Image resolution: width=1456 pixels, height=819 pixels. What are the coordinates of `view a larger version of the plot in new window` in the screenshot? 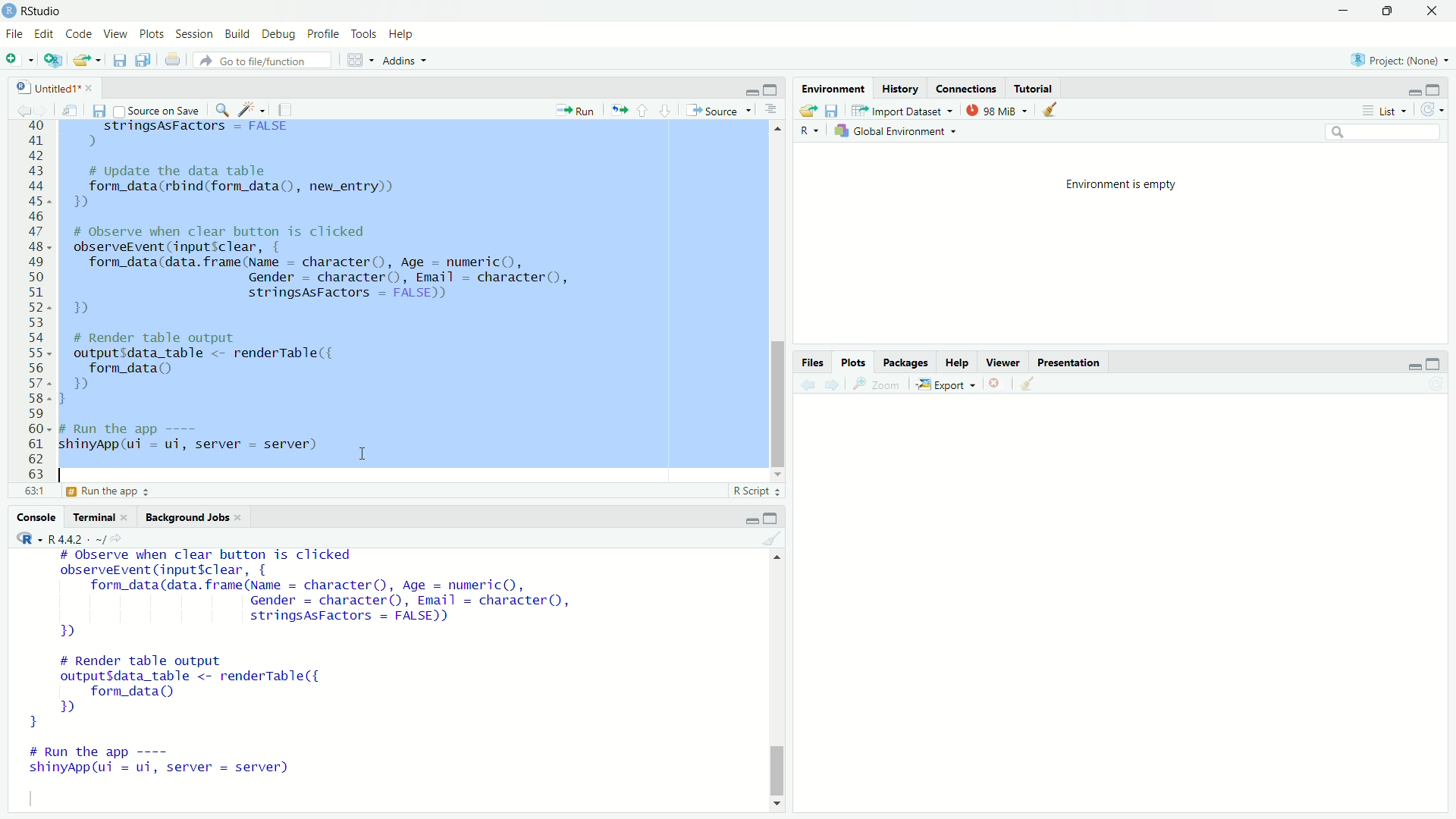 It's located at (876, 384).